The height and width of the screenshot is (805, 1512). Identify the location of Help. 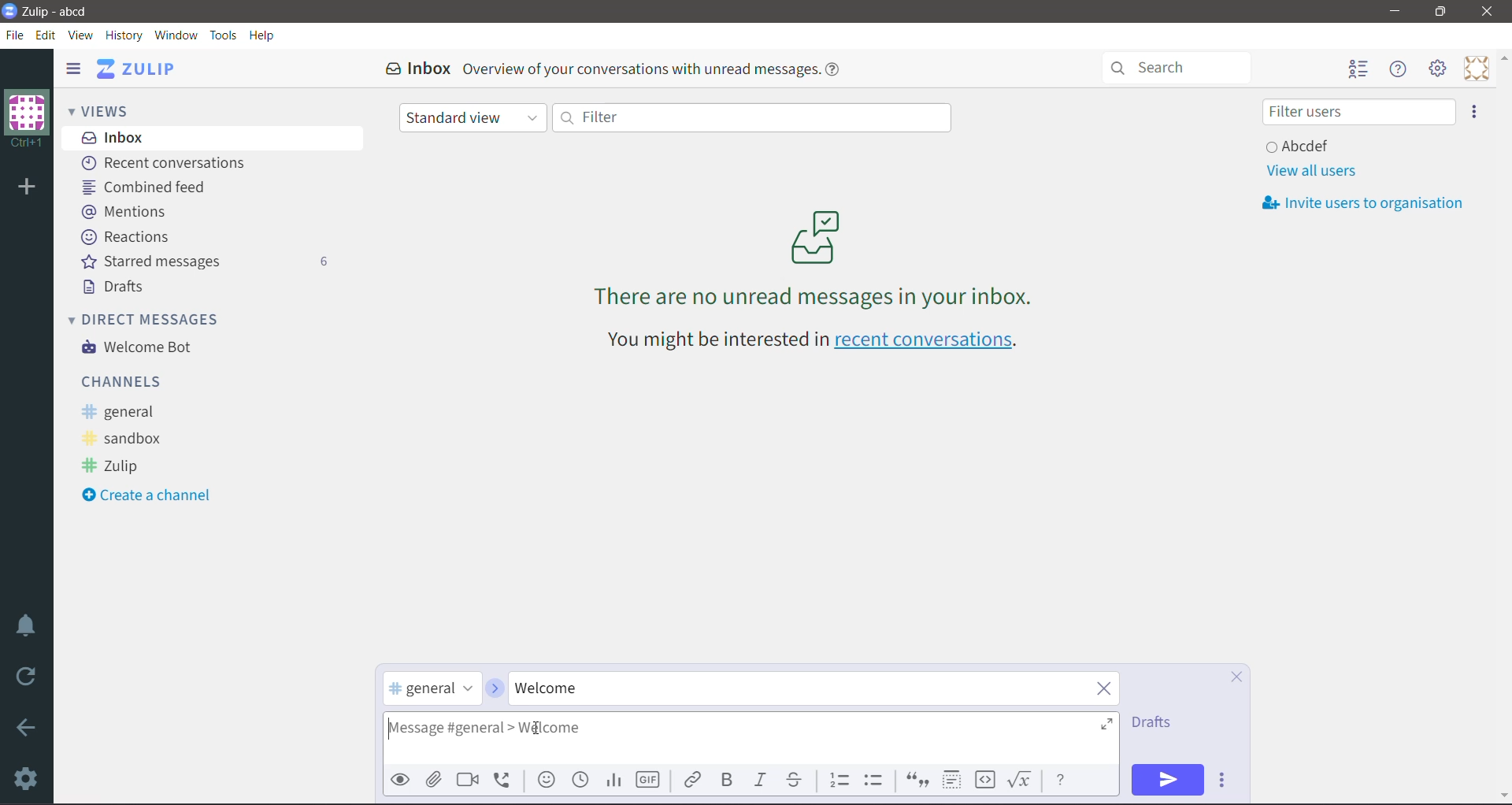
(262, 35).